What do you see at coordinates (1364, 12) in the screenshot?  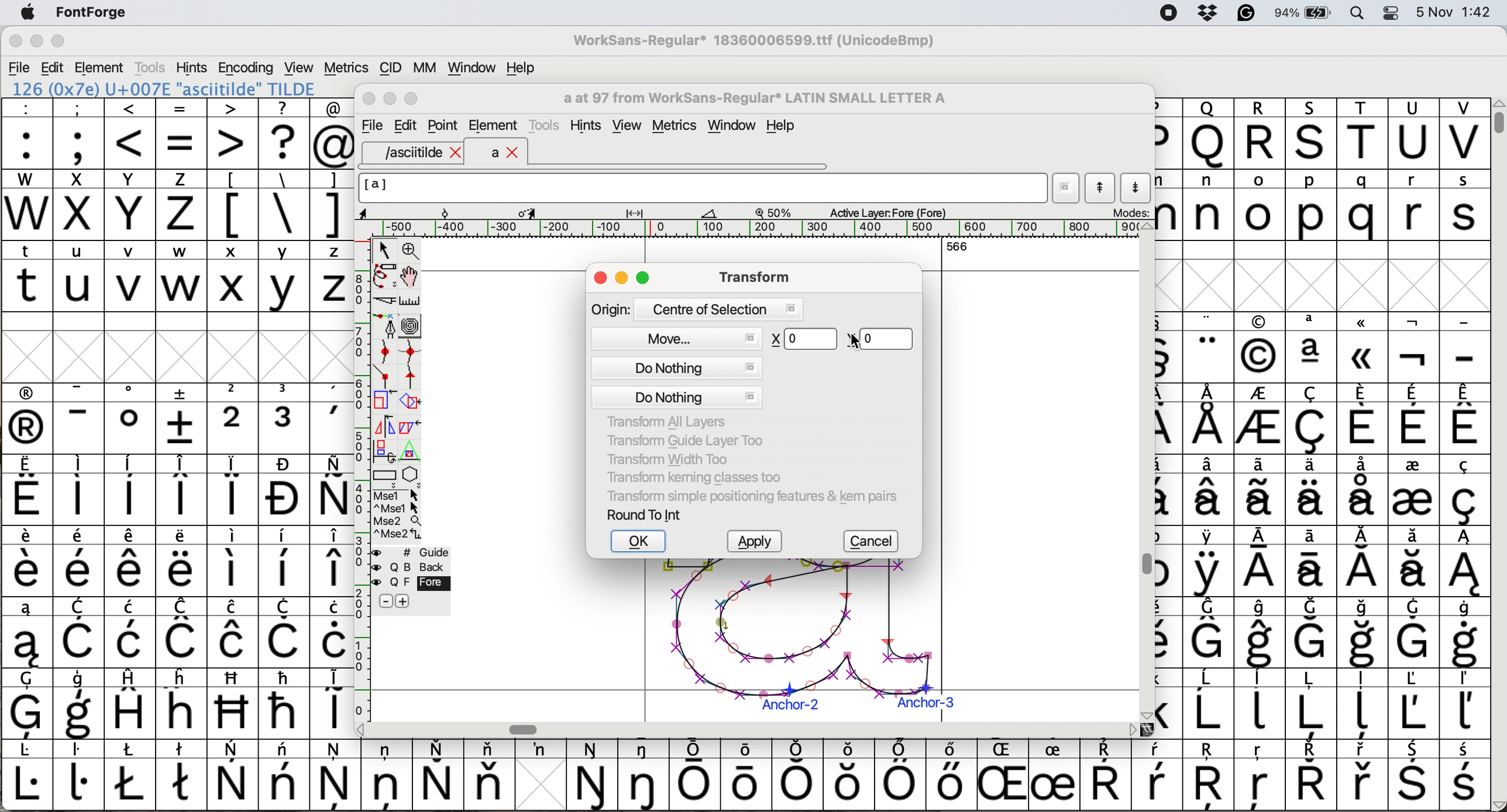 I see `spotlight search` at bounding box center [1364, 12].